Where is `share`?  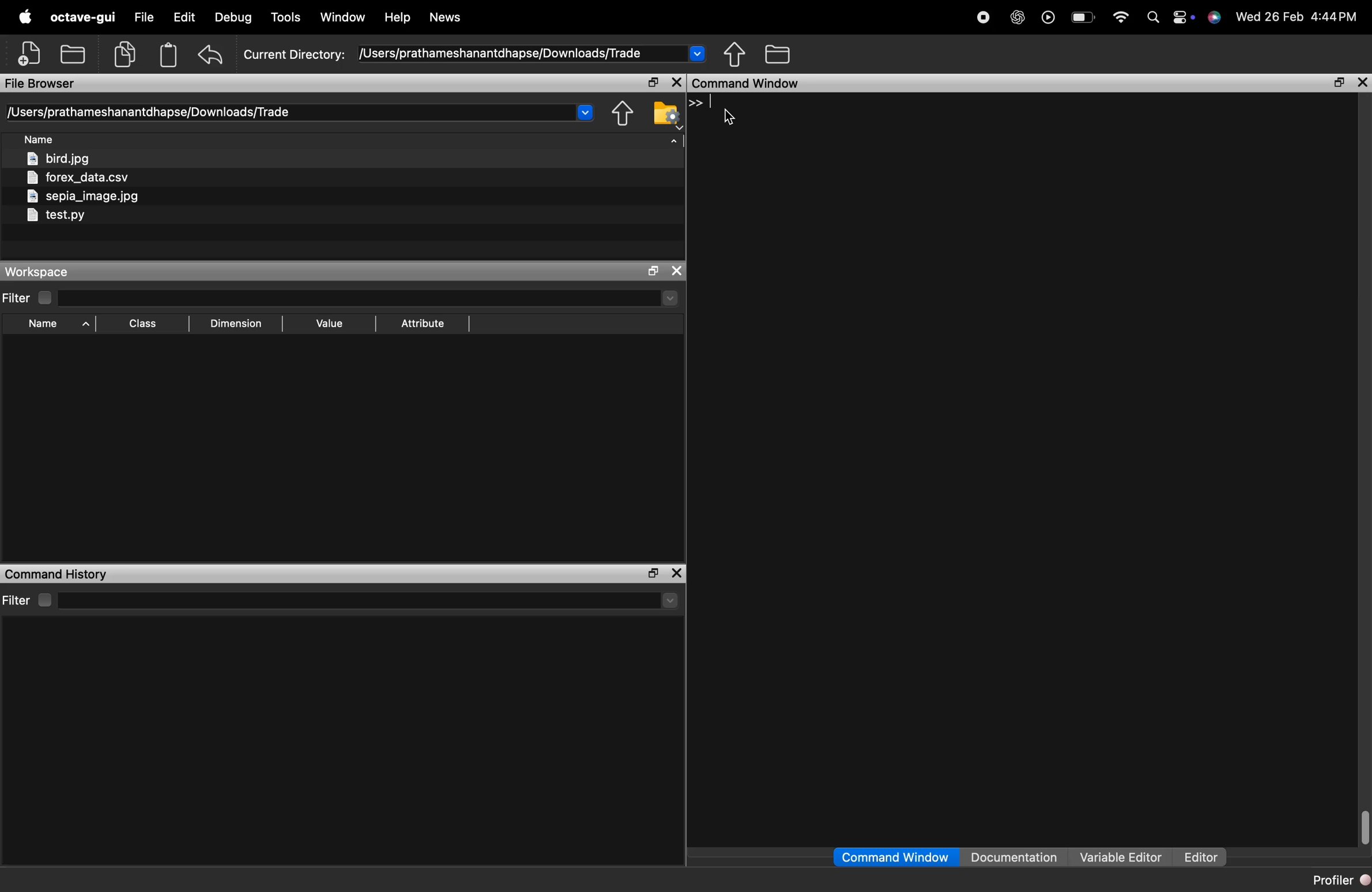 share is located at coordinates (623, 114).